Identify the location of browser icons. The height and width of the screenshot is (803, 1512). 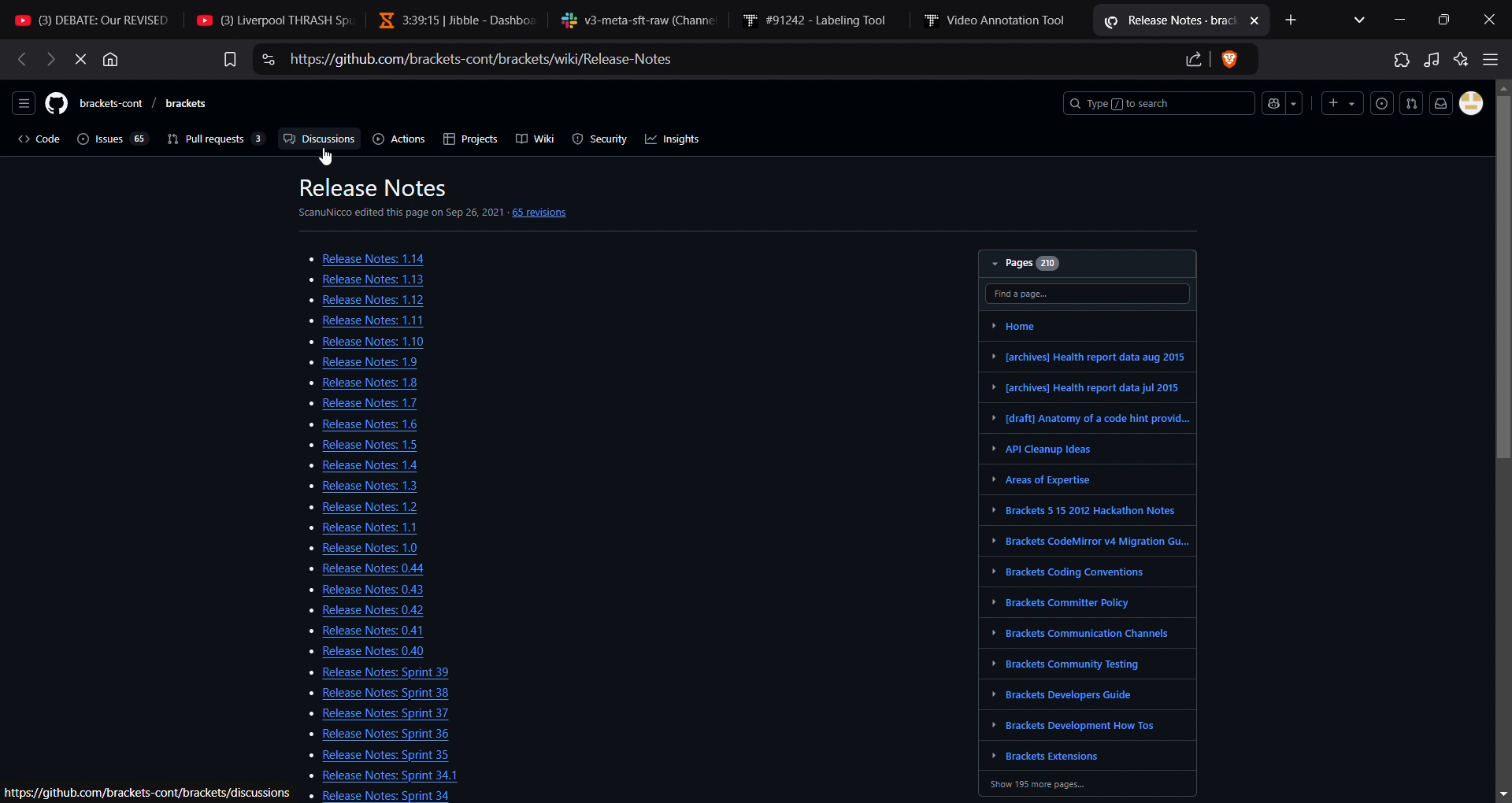
(1447, 59).